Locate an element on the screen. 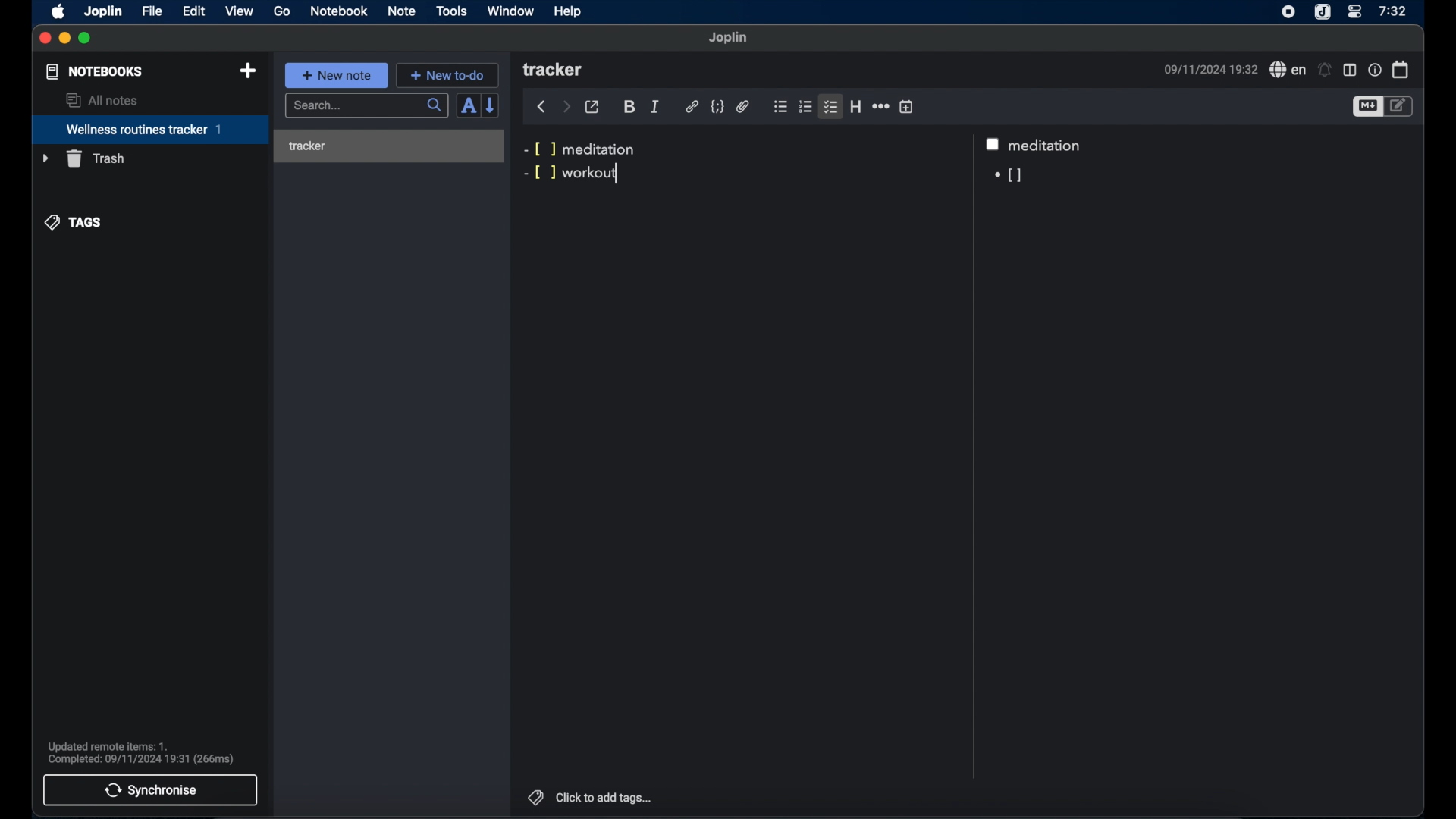 The height and width of the screenshot is (819, 1456). all notes is located at coordinates (101, 100).